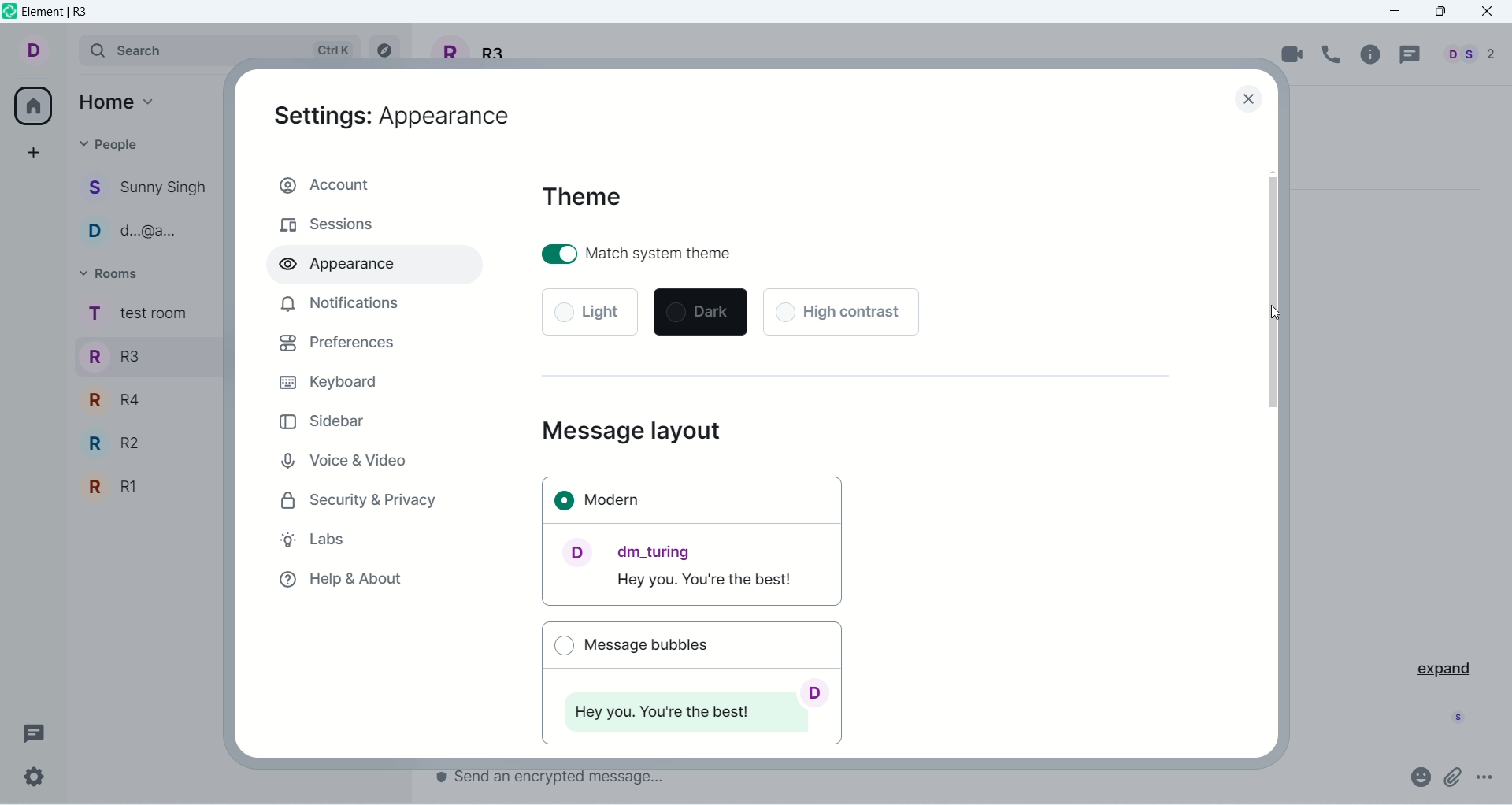 The image size is (1512, 805). I want to click on attachment, so click(1454, 777).